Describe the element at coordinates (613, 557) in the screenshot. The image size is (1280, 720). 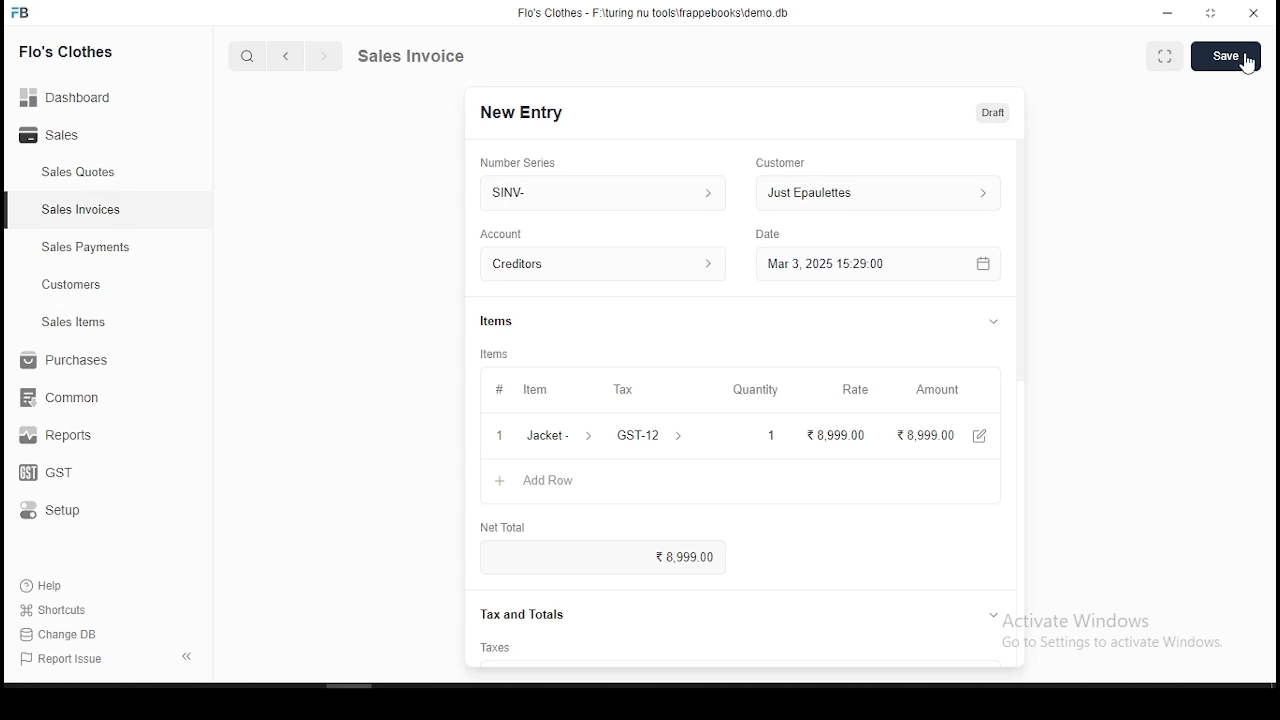
I see `8,999.00` at that location.